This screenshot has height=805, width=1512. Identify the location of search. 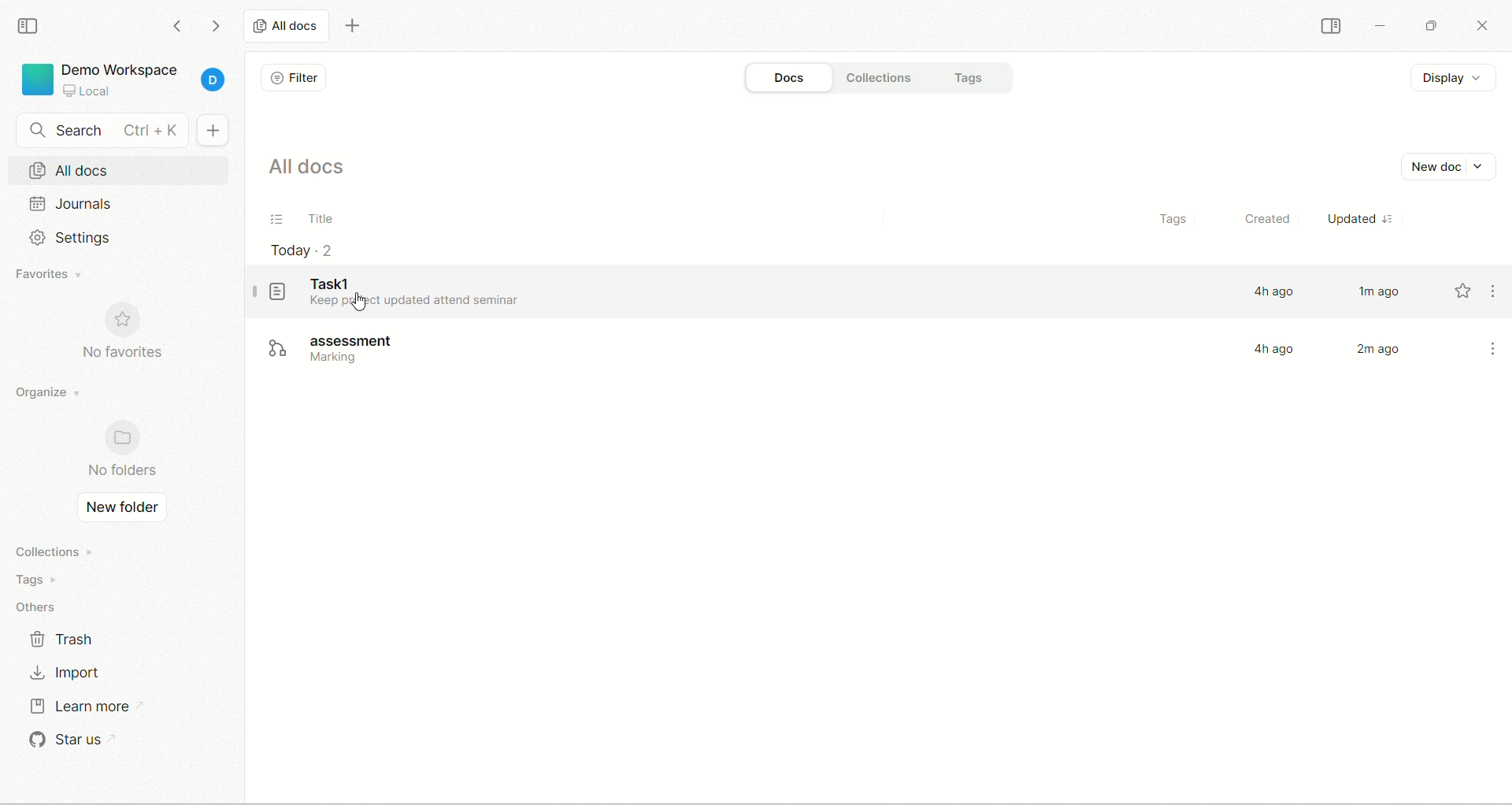
(102, 131).